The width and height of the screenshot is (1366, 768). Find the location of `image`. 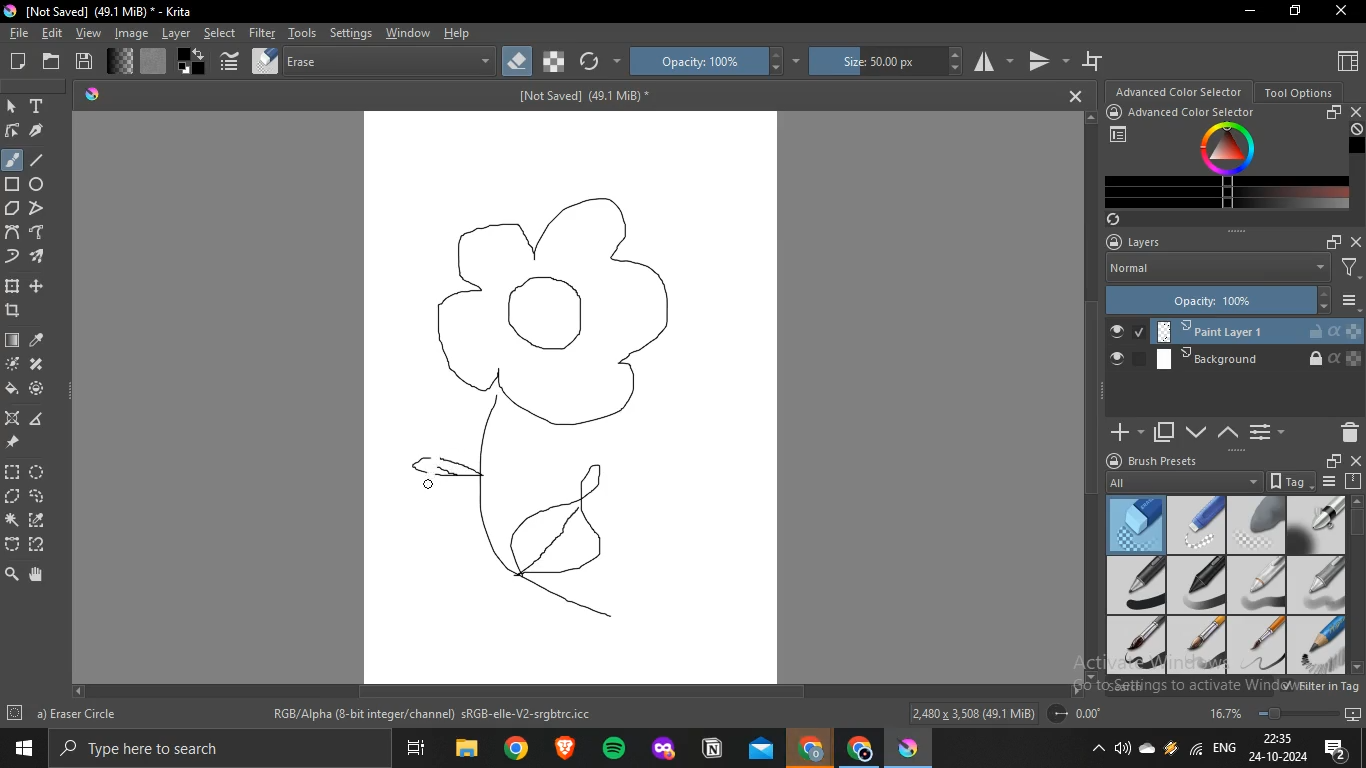

image is located at coordinates (129, 32).